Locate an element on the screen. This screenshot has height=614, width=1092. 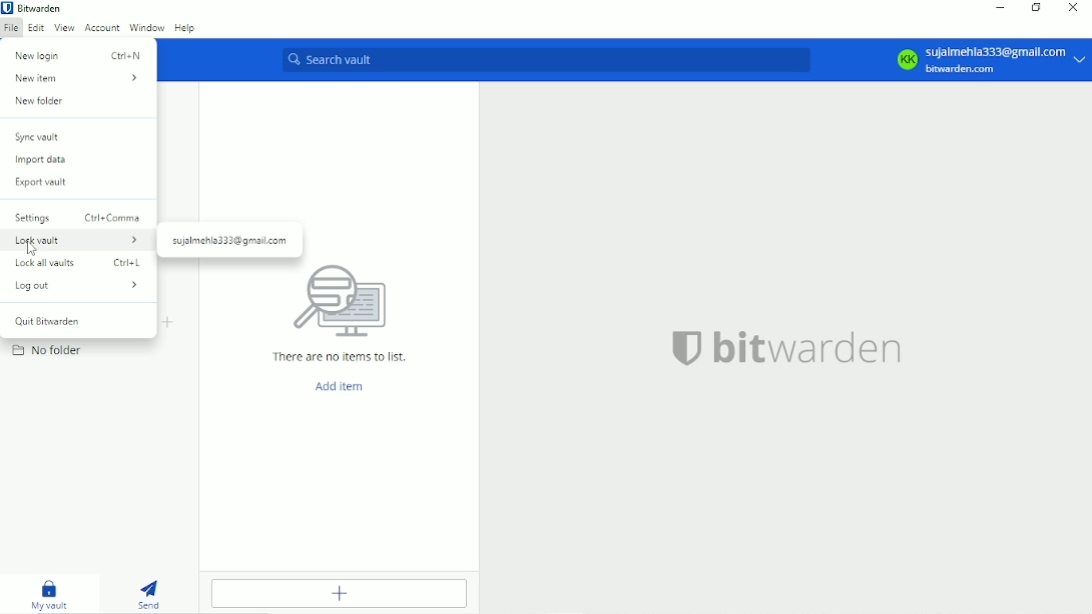
Add item is located at coordinates (340, 388).